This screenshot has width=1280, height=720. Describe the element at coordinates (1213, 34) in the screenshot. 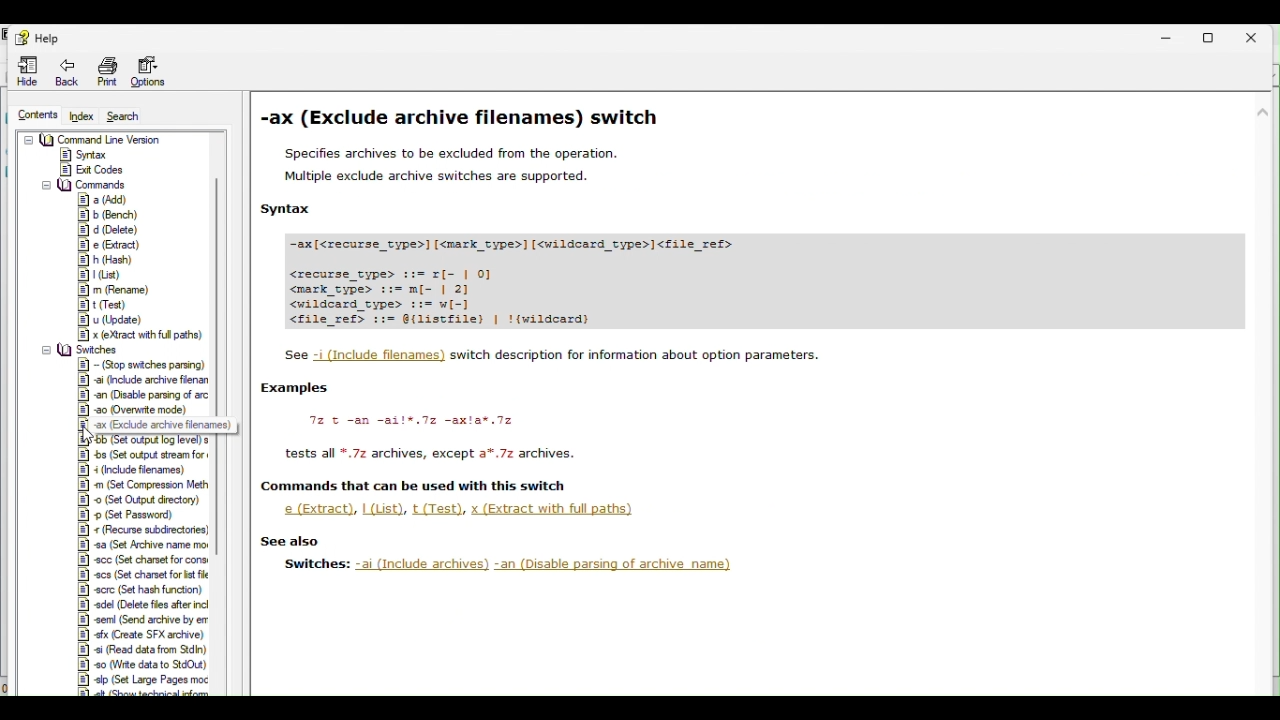

I see `Restore` at that location.